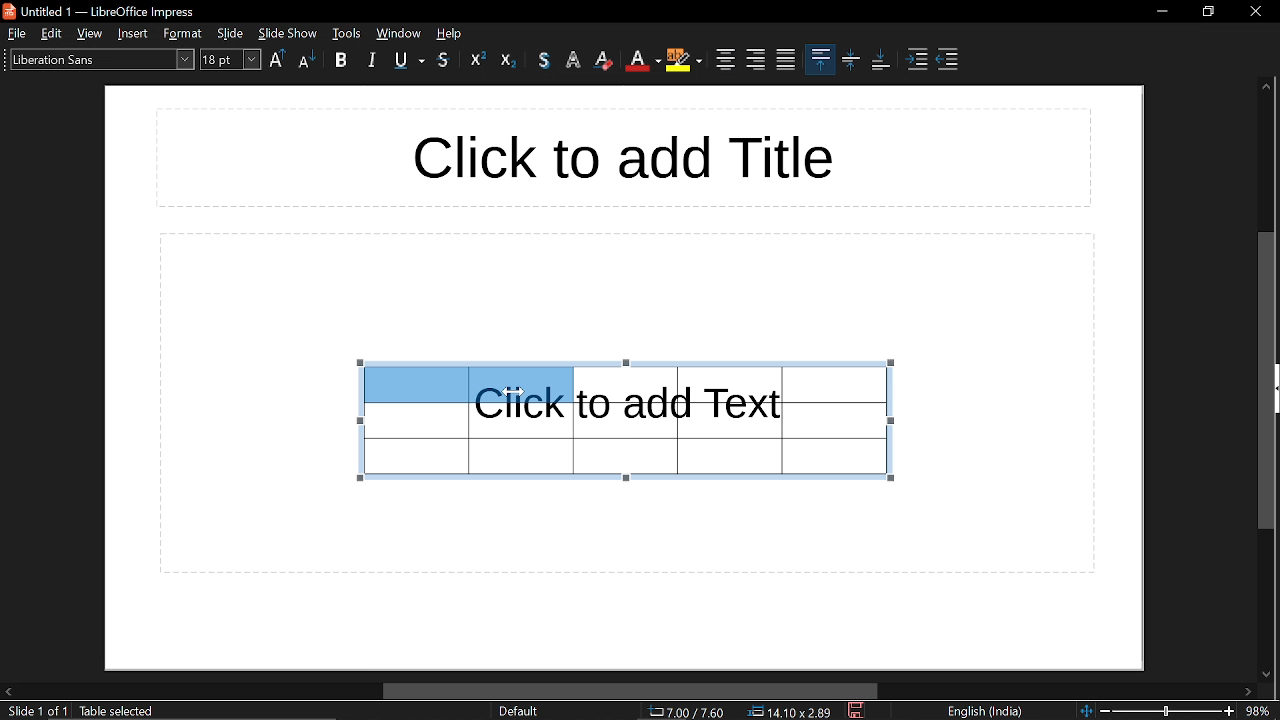  Describe the element at coordinates (371, 61) in the screenshot. I see `italic` at that location.